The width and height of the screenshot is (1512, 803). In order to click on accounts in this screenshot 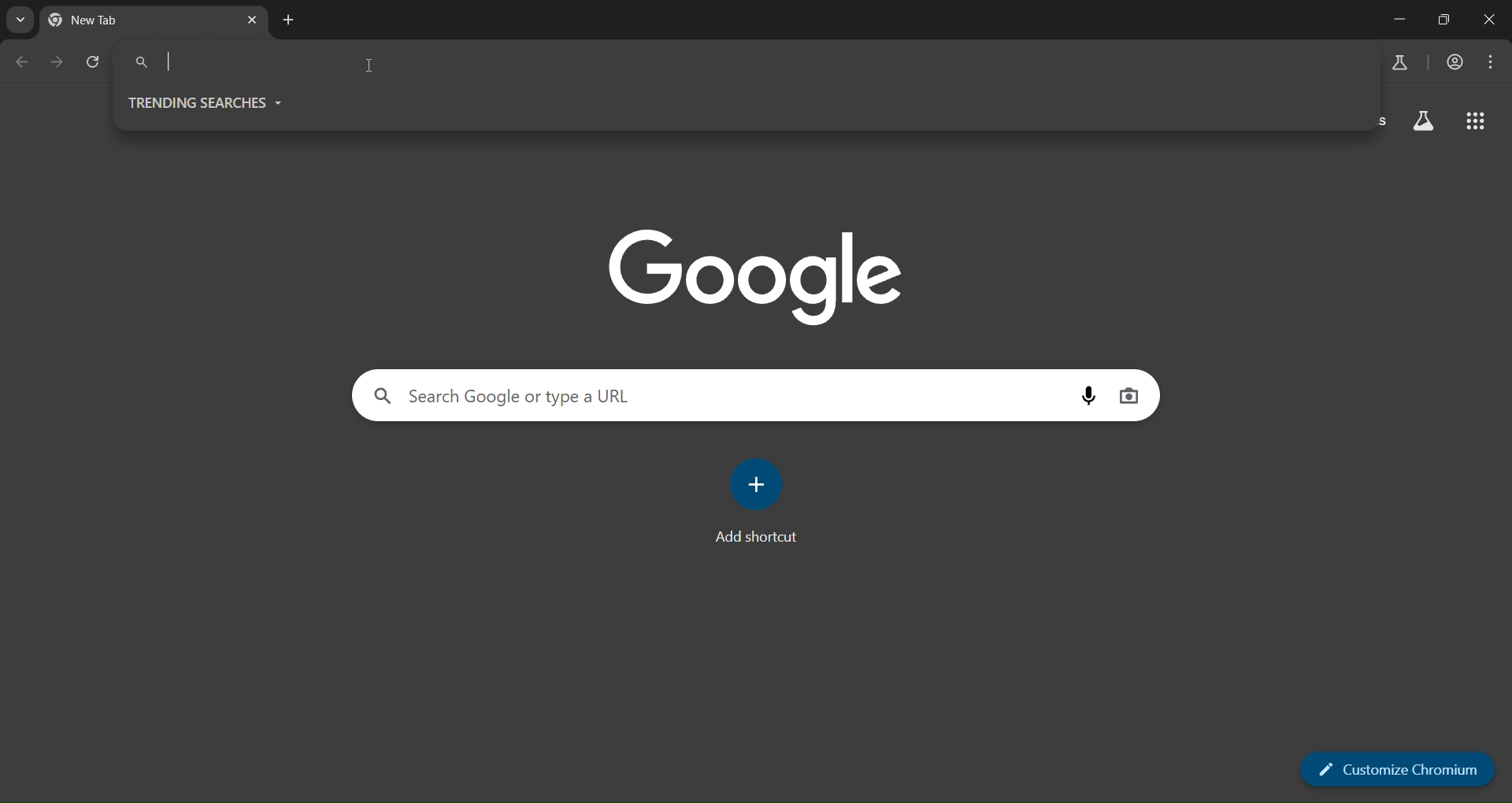, I will do `click(1455, 61)`.